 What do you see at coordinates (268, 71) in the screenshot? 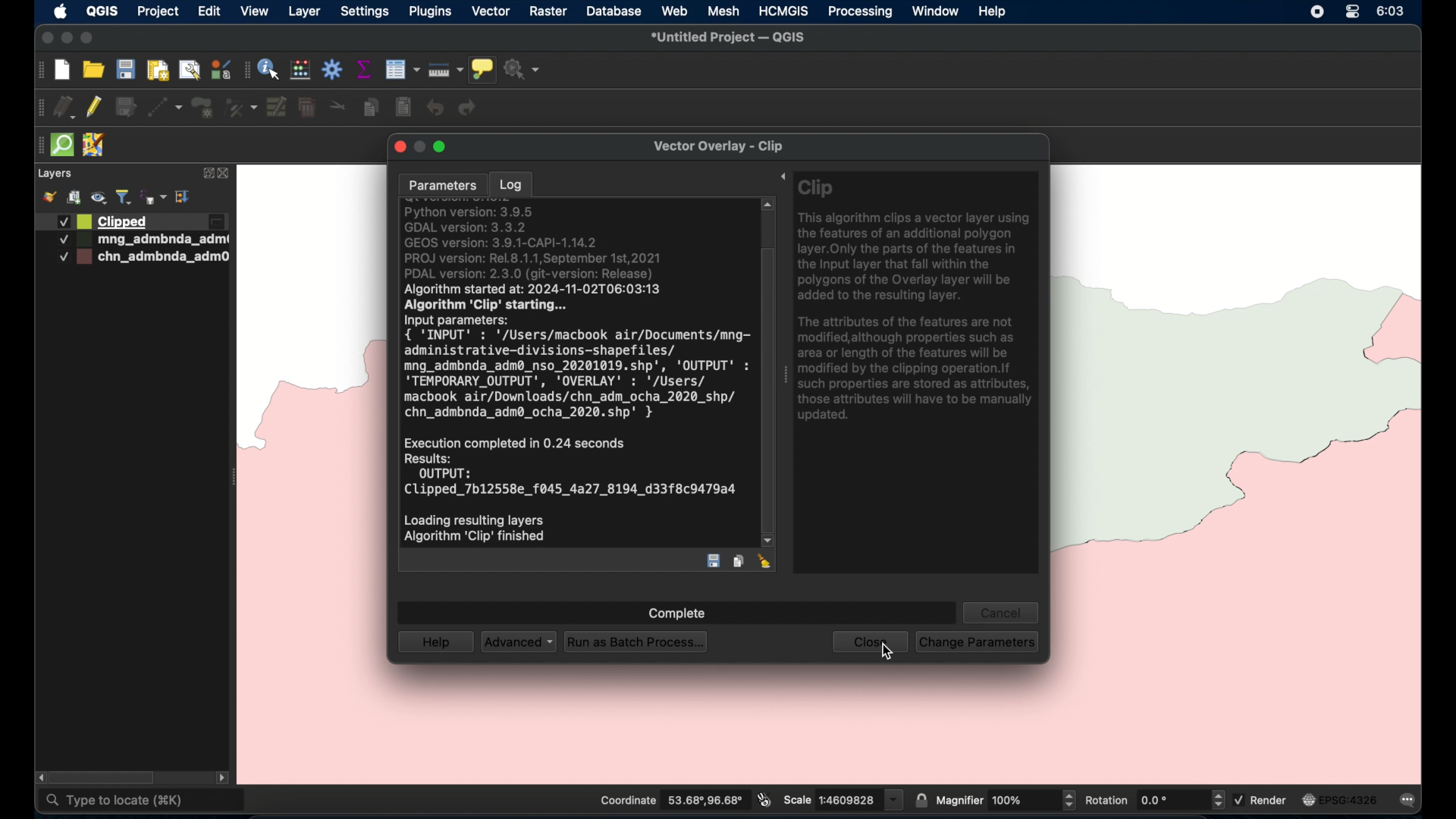
I see `` at bounding box center [268, 71].